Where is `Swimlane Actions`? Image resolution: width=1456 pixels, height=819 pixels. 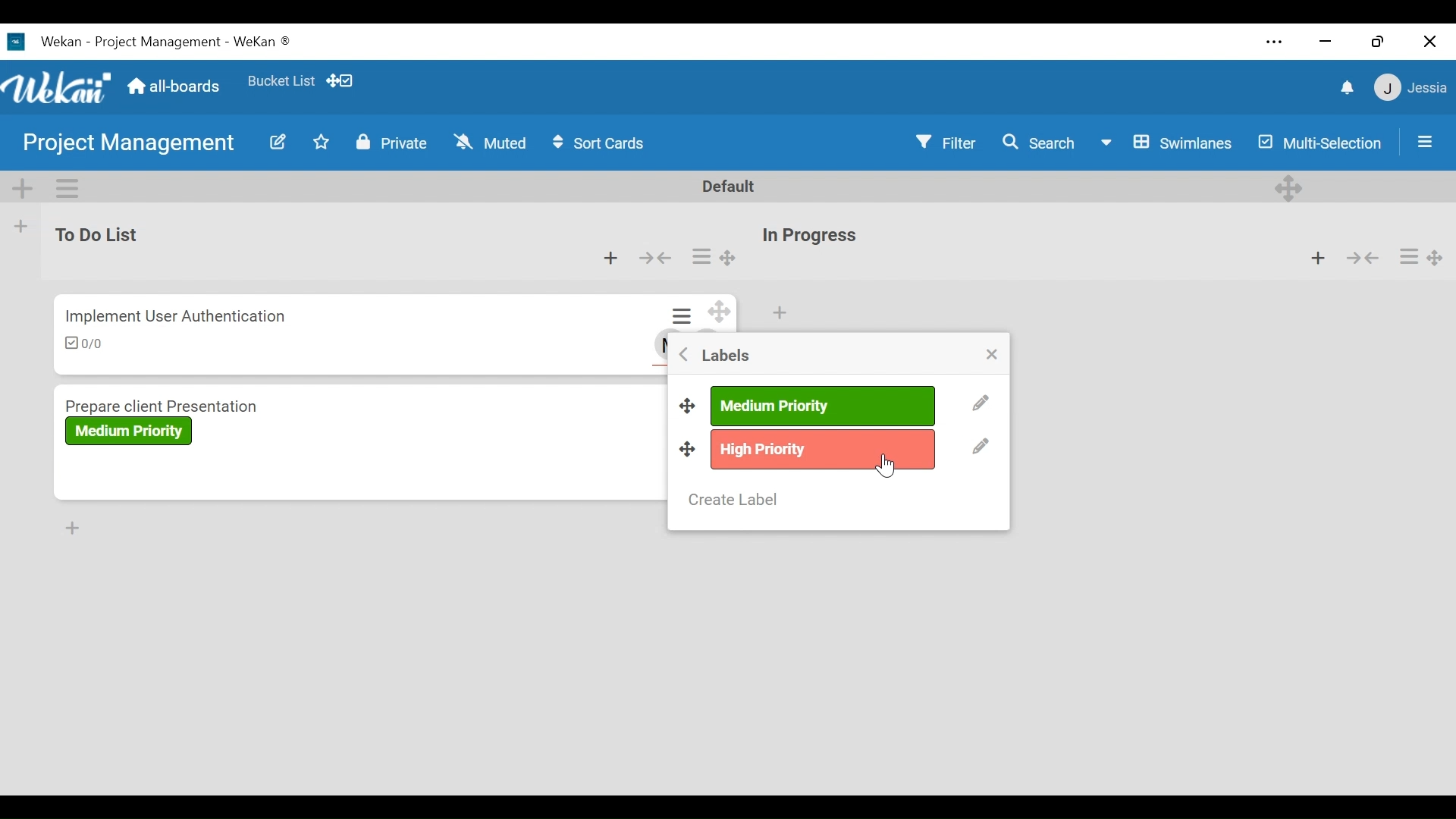
Swimlane Actions is located at coordinates (70, 188).